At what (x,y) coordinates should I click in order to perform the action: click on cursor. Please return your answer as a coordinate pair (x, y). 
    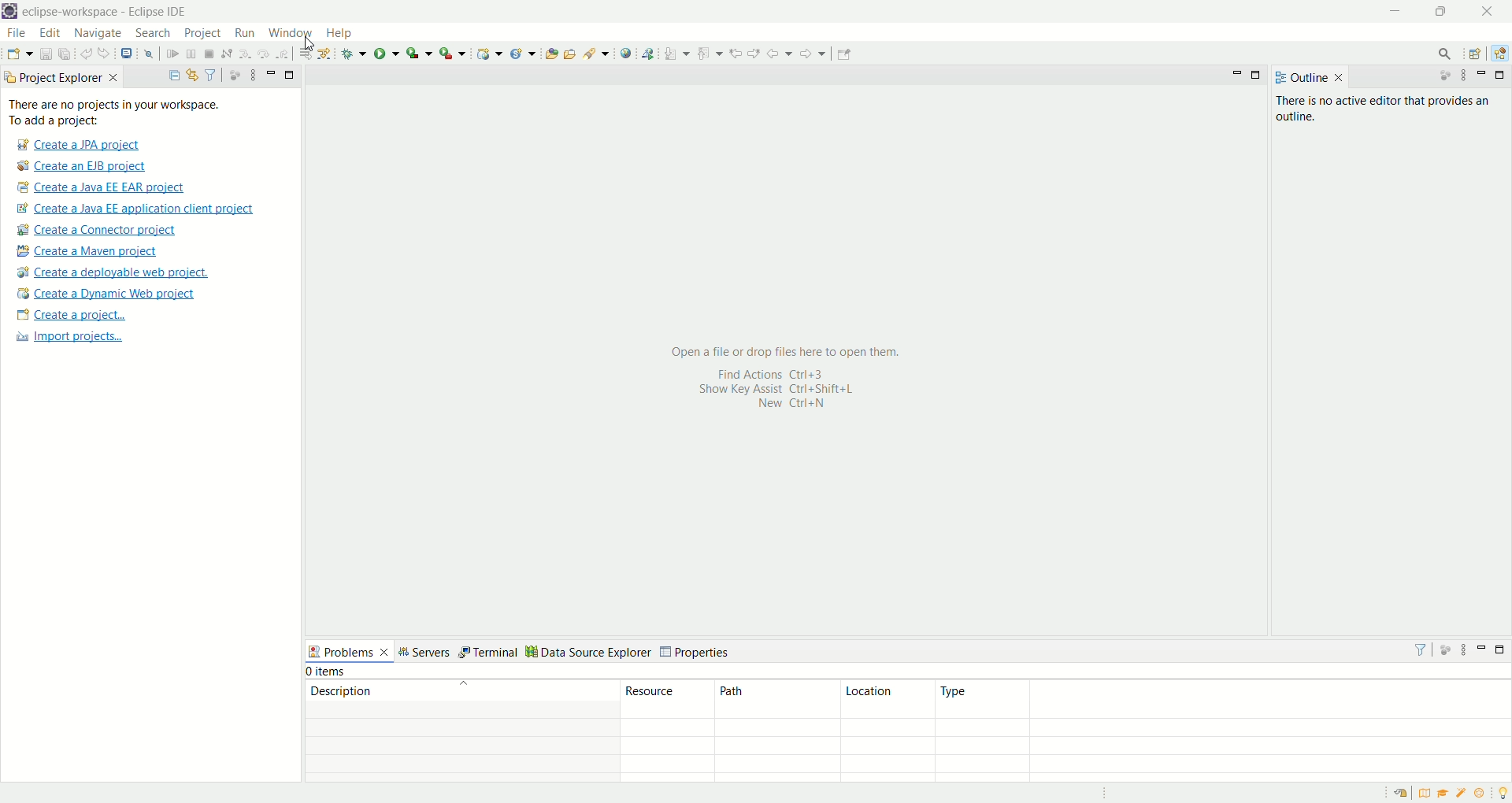
    Looking at the image, I should click on (310, 43).